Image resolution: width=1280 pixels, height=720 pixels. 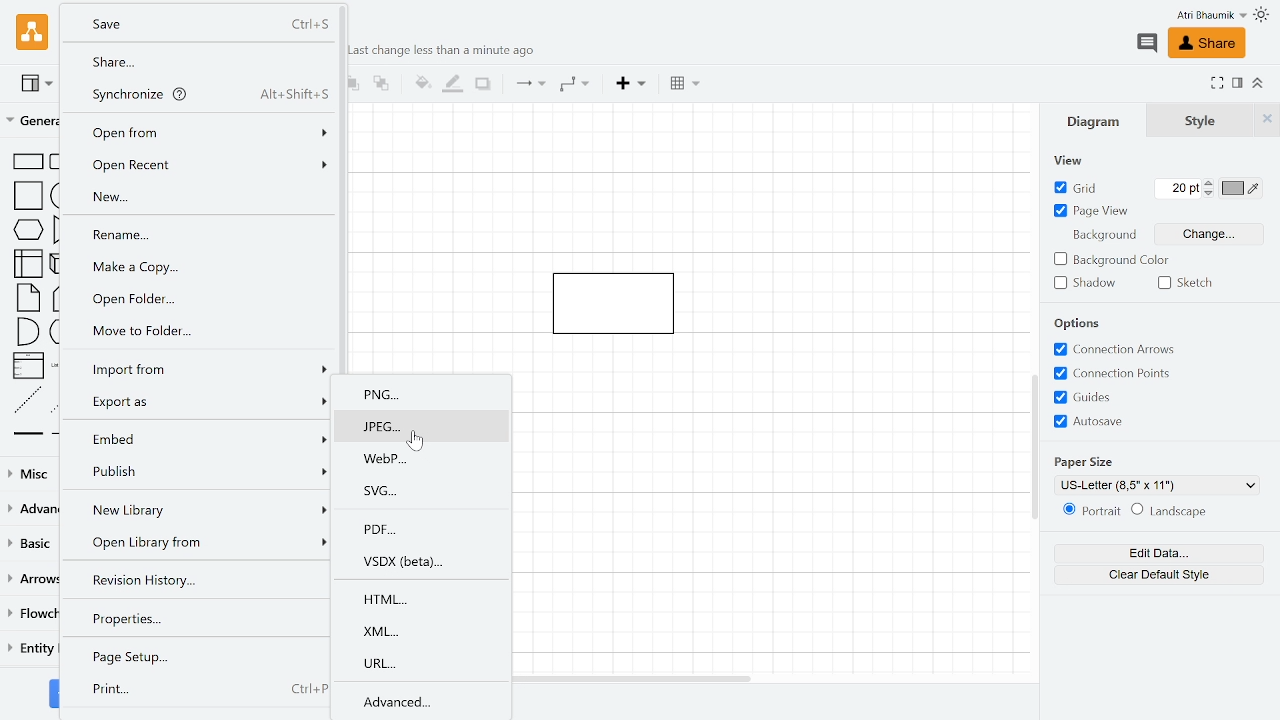 I want to click on New, so click(x=196, y=197).